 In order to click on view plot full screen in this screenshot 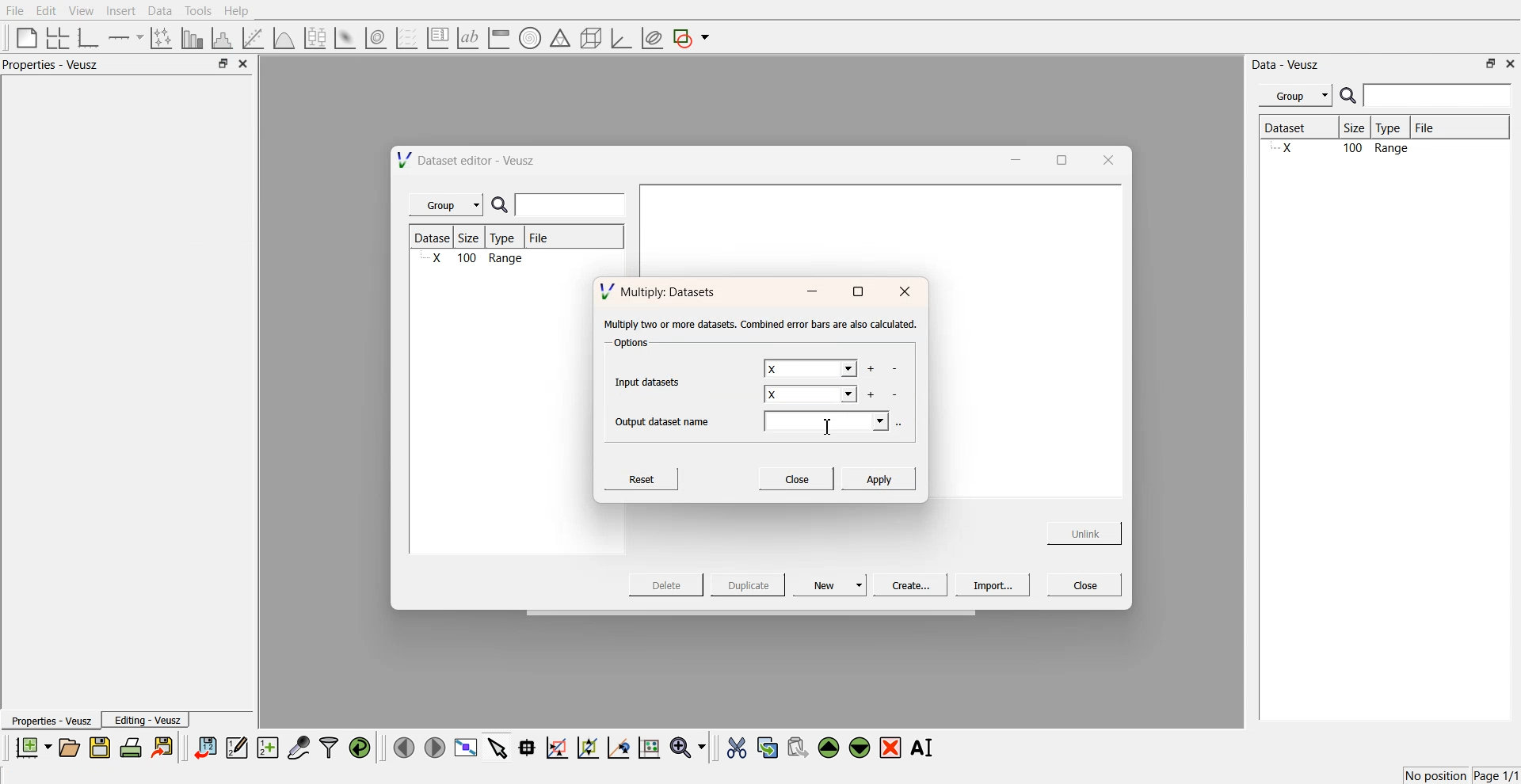, I will do `click(465, 748)`.